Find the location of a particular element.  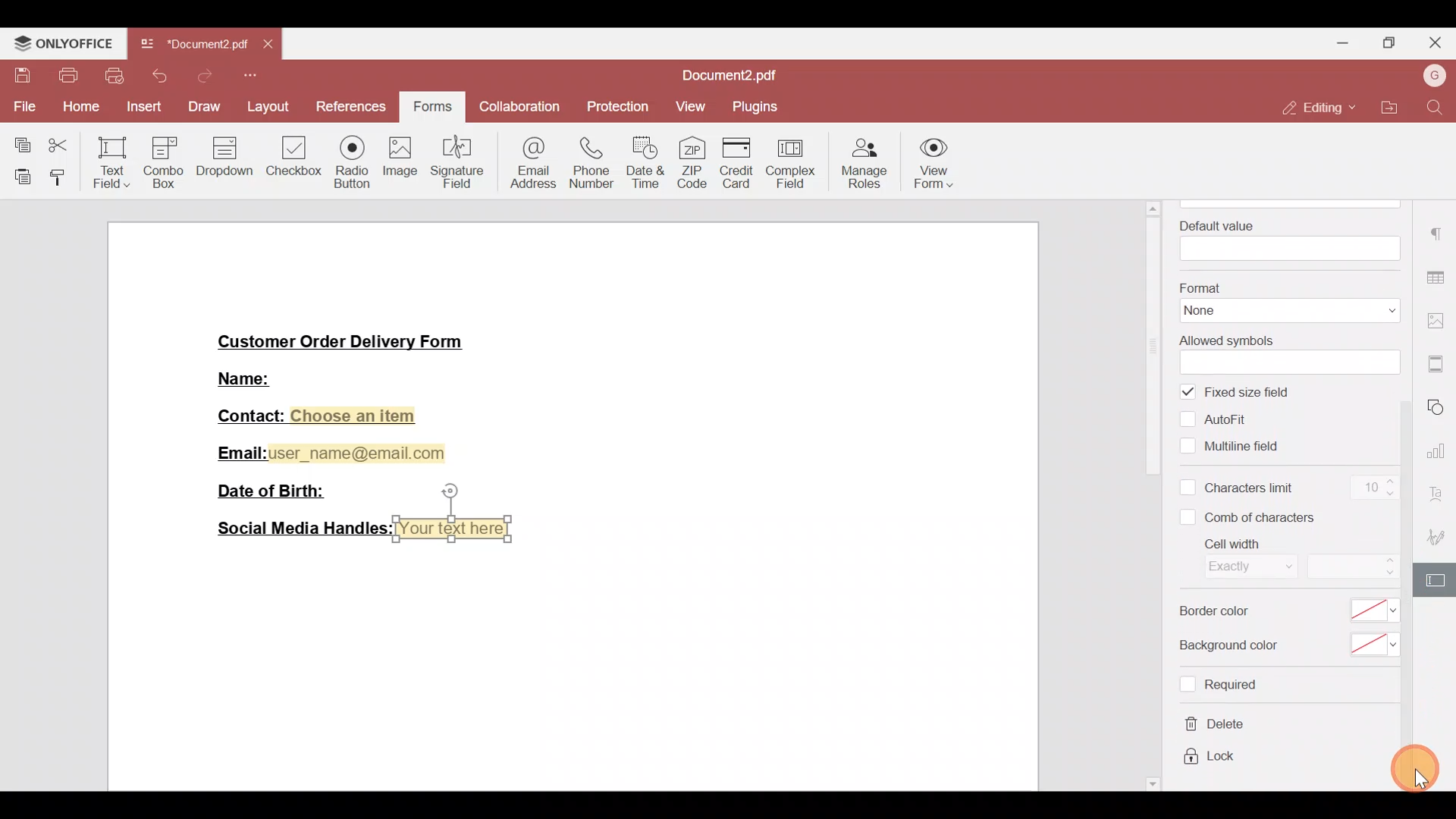

Table settings is located at coordinates (1438, 275).